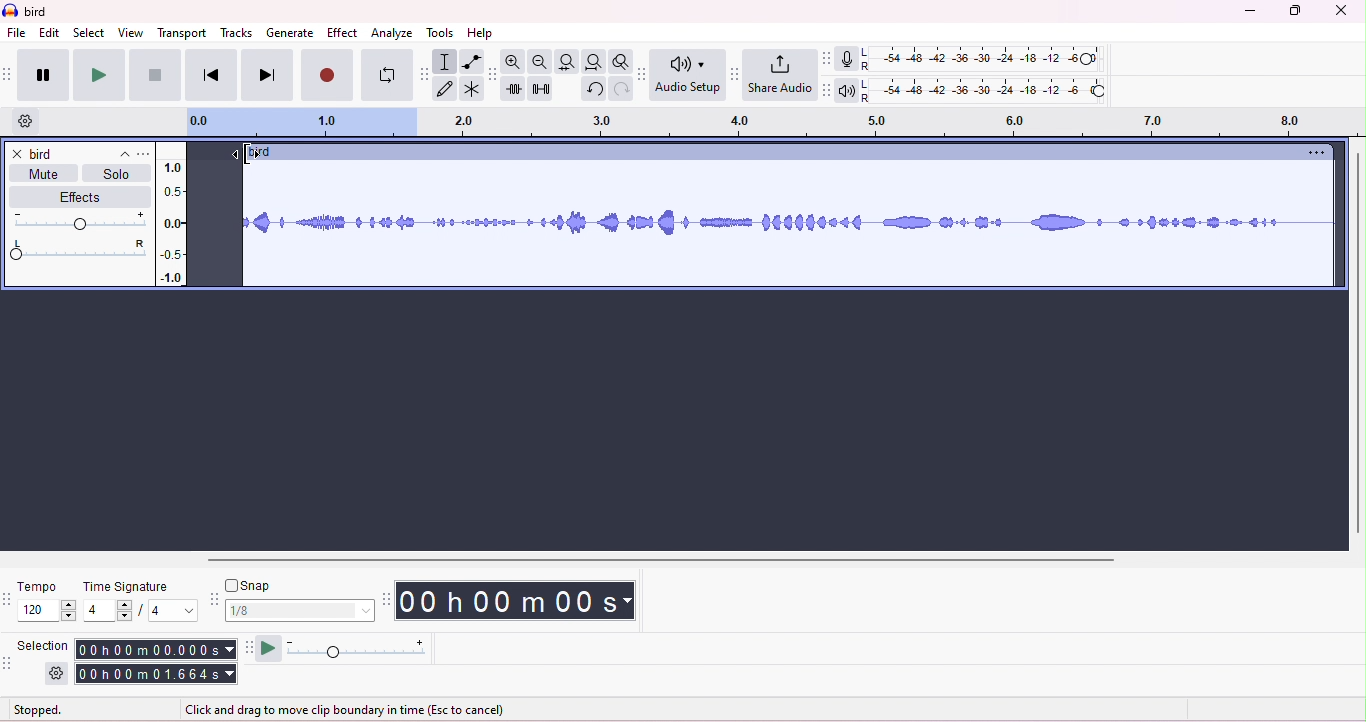 This screenshot has width=1366, height=722. What do you see at coordinates (9, 599) in the screenshot?
I see `tempo tool bar` at bounding box center [9, 599].